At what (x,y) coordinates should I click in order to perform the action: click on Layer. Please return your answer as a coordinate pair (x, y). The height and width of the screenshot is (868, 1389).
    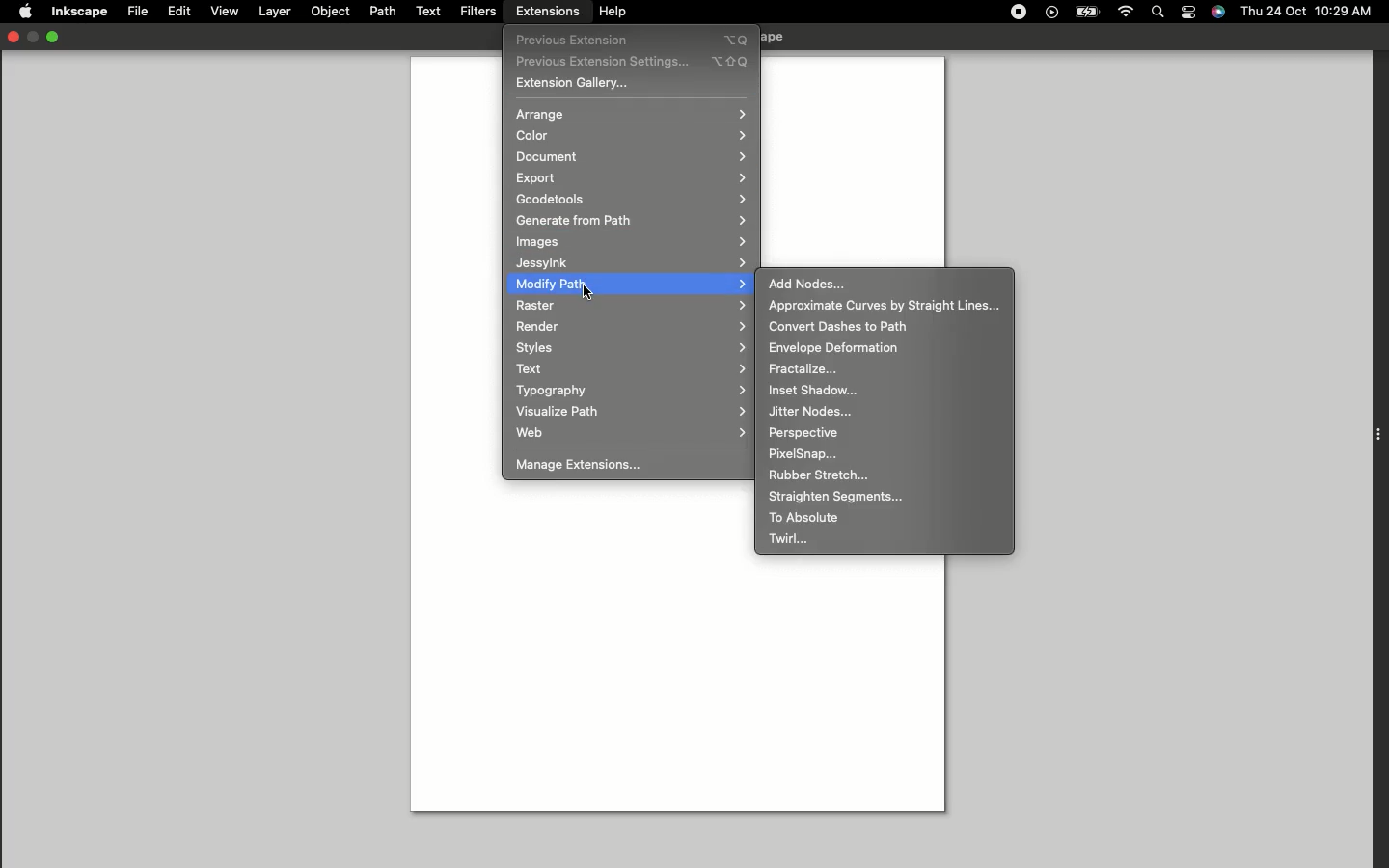
    Looking at the image, I should click on (277, 13).